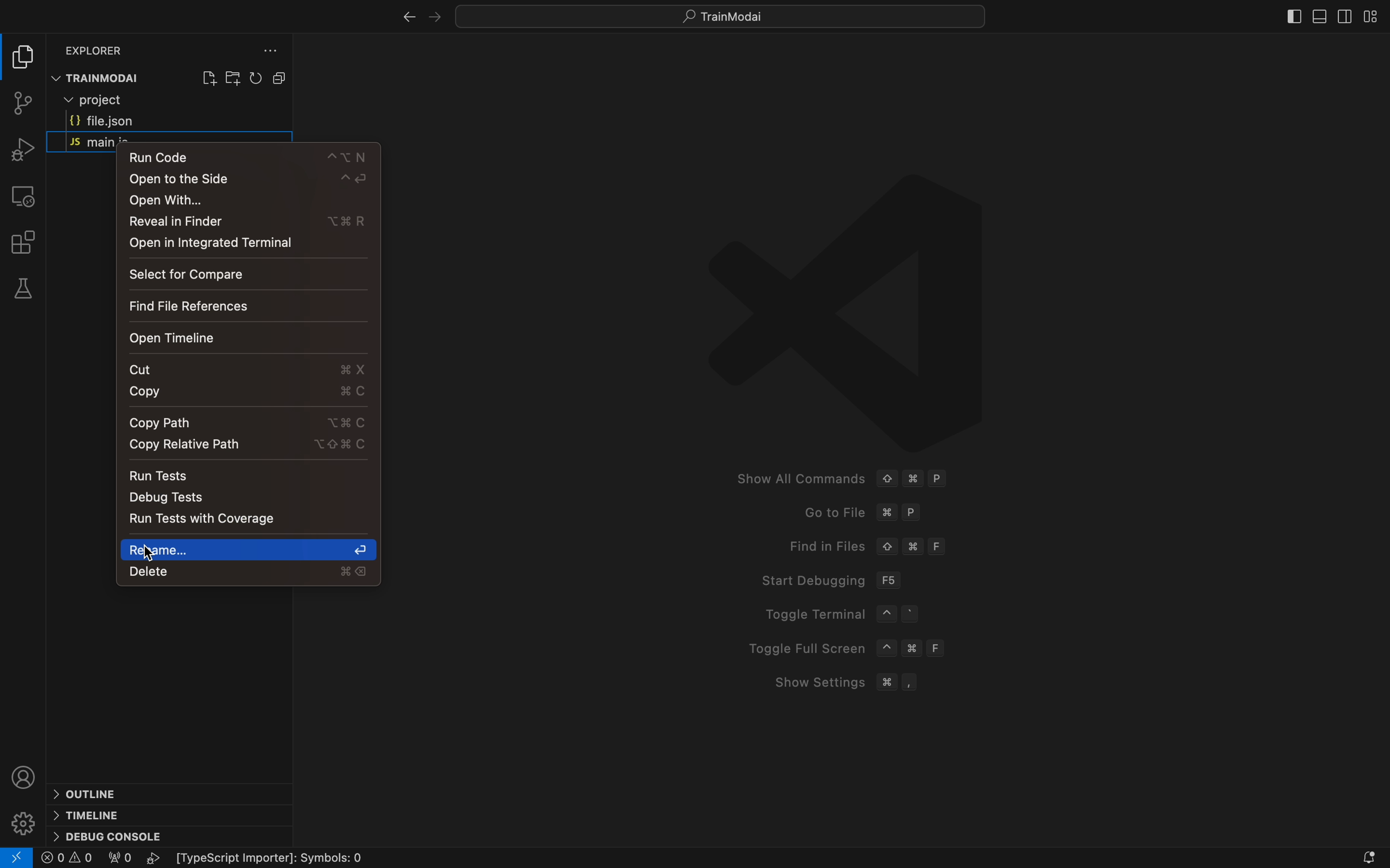 The height and width of the screenshot is (868, 1390). Describe the element at coordinates (835, 613) in the screenshot. I see `Toggle Terminal ` at that location.